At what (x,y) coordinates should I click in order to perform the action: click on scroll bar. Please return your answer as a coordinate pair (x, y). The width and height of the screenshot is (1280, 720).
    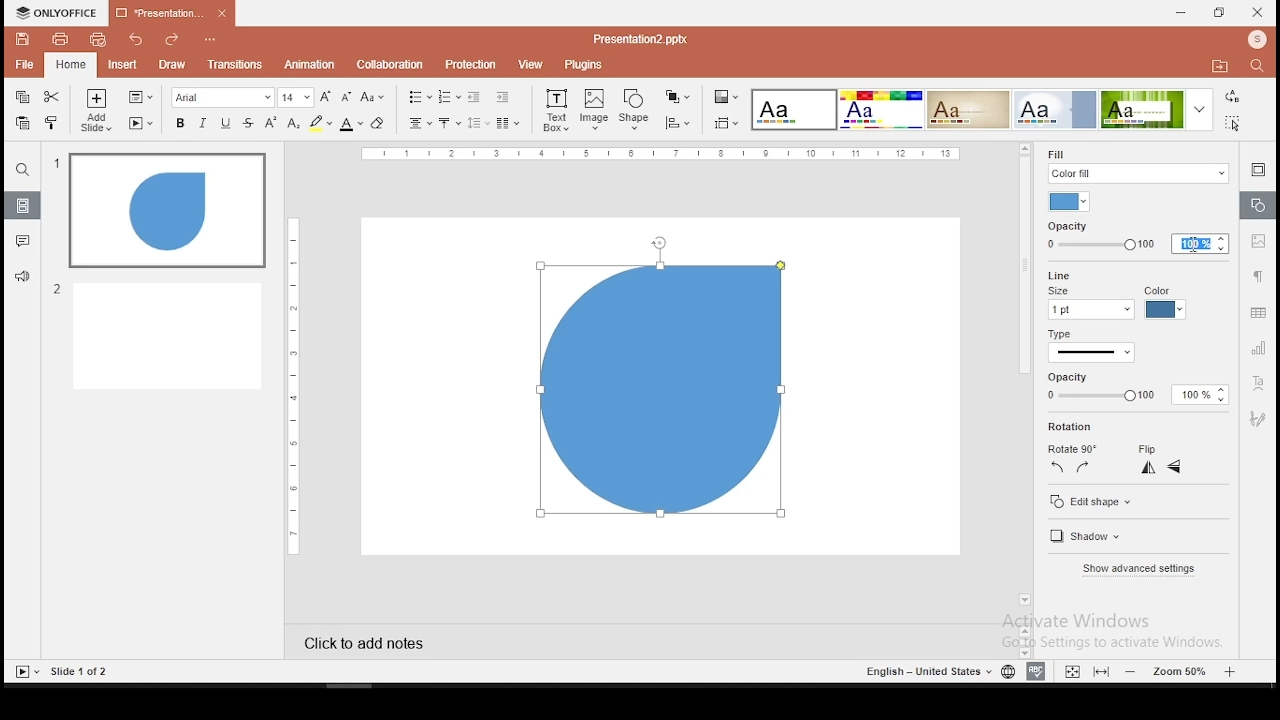
    Looking at the image, I should click on (1022, 382).